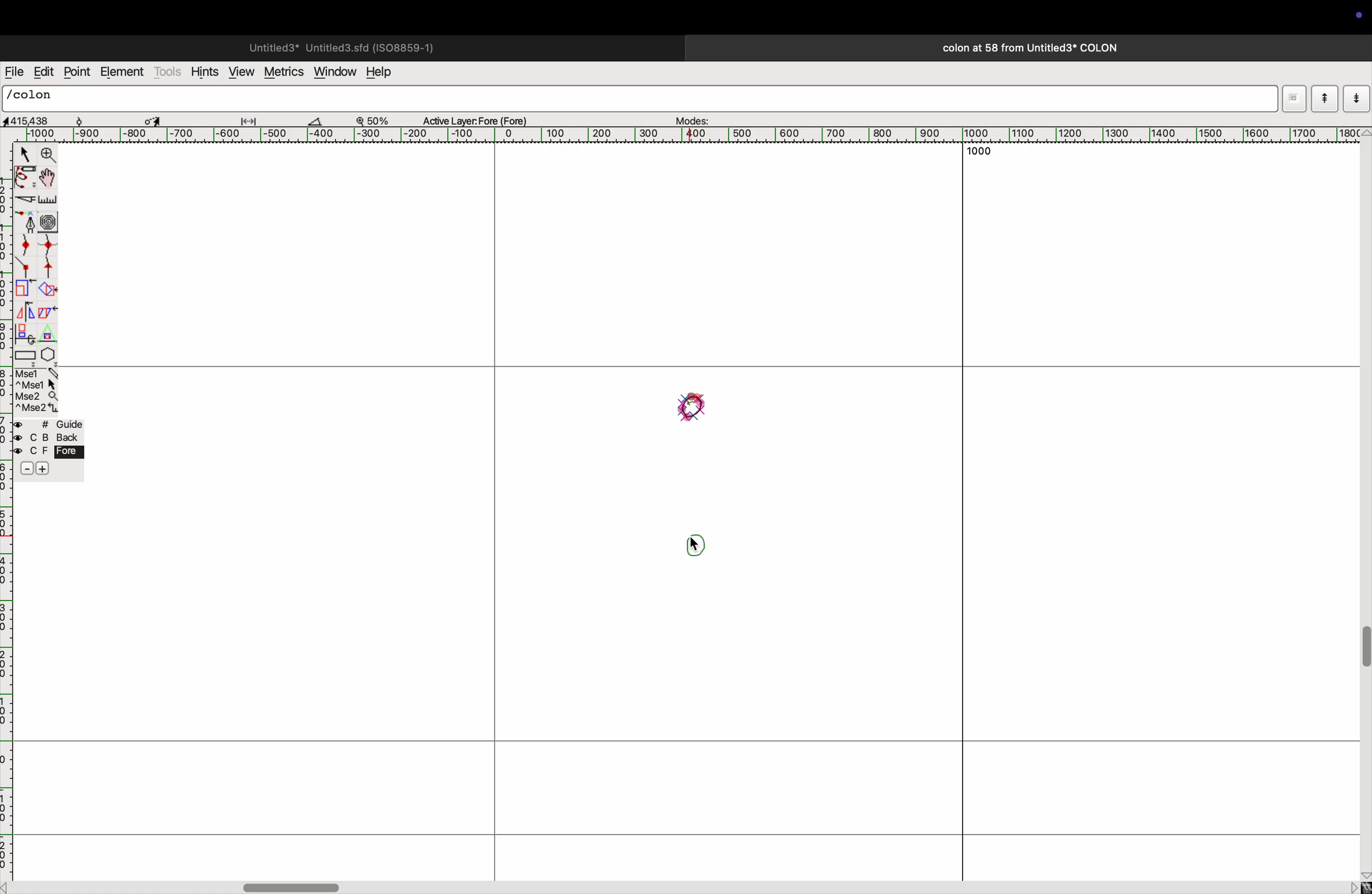 The width and height of the screenshot is (1372, 894). What do you see at coordinates (694, 118) in the screenshot?
I see `modes` at bounding box center [694, 118].